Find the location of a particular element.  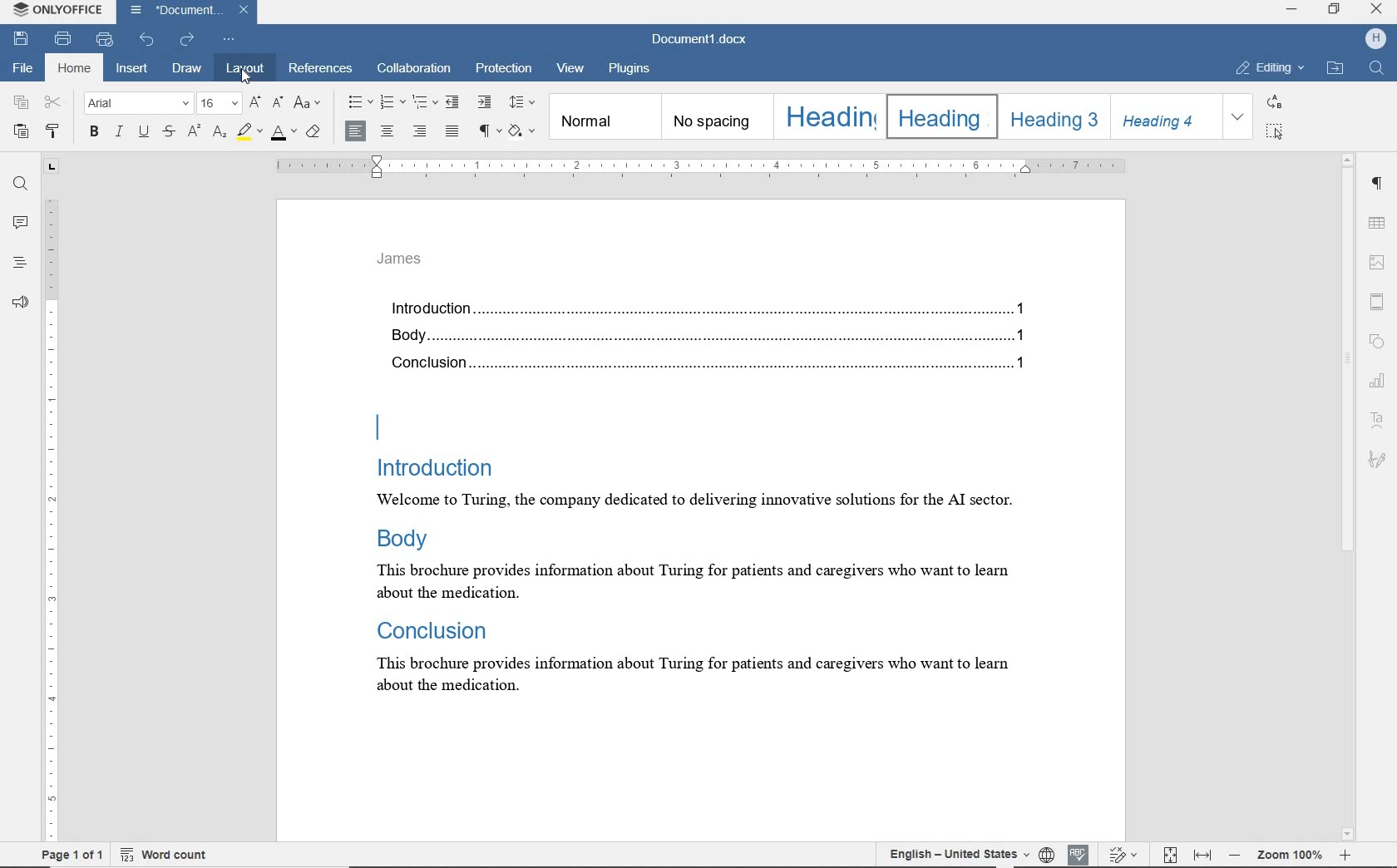

copy is located at coordinates (22, 101).